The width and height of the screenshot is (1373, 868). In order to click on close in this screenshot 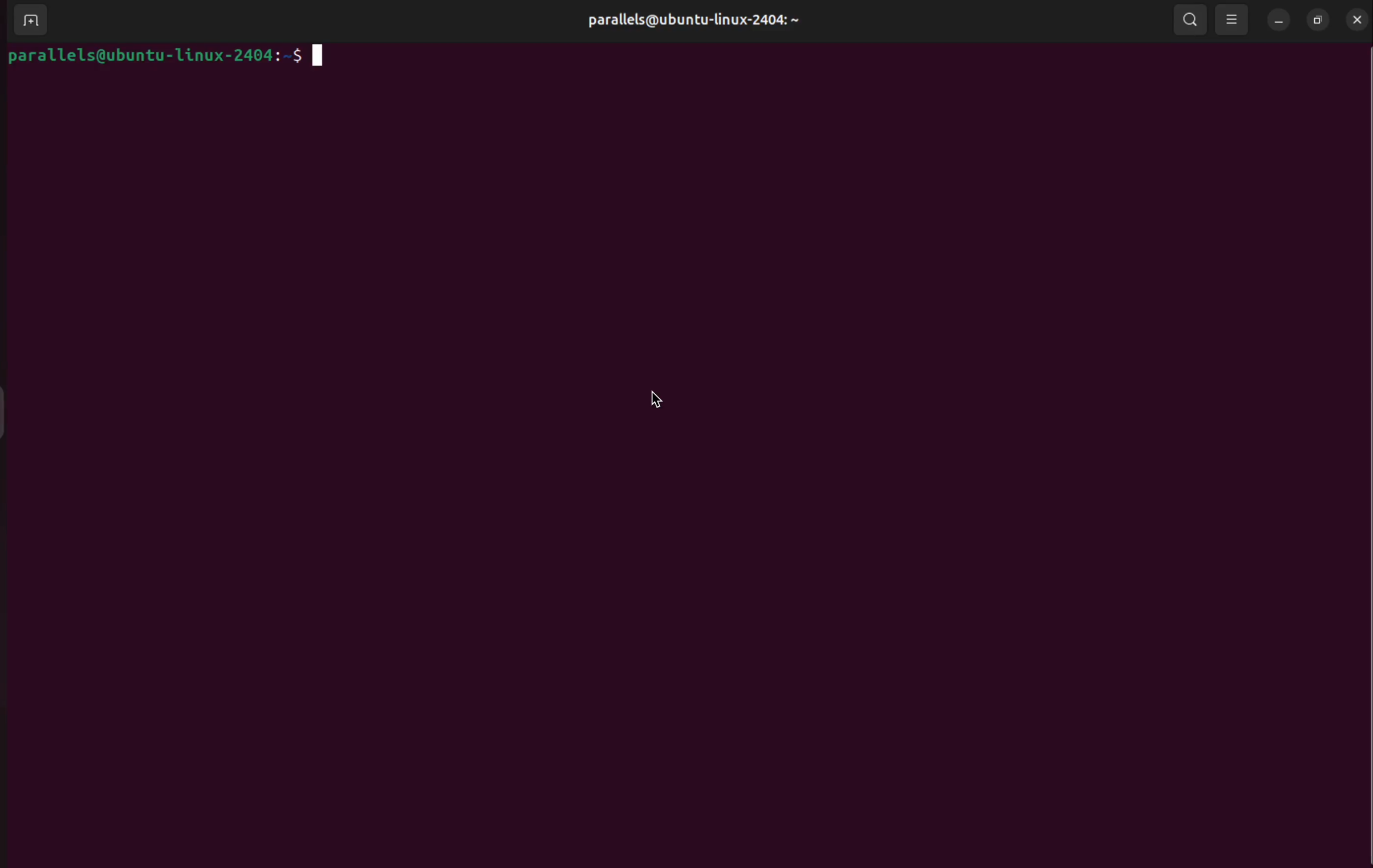, I will do `click(1354, 19)`.